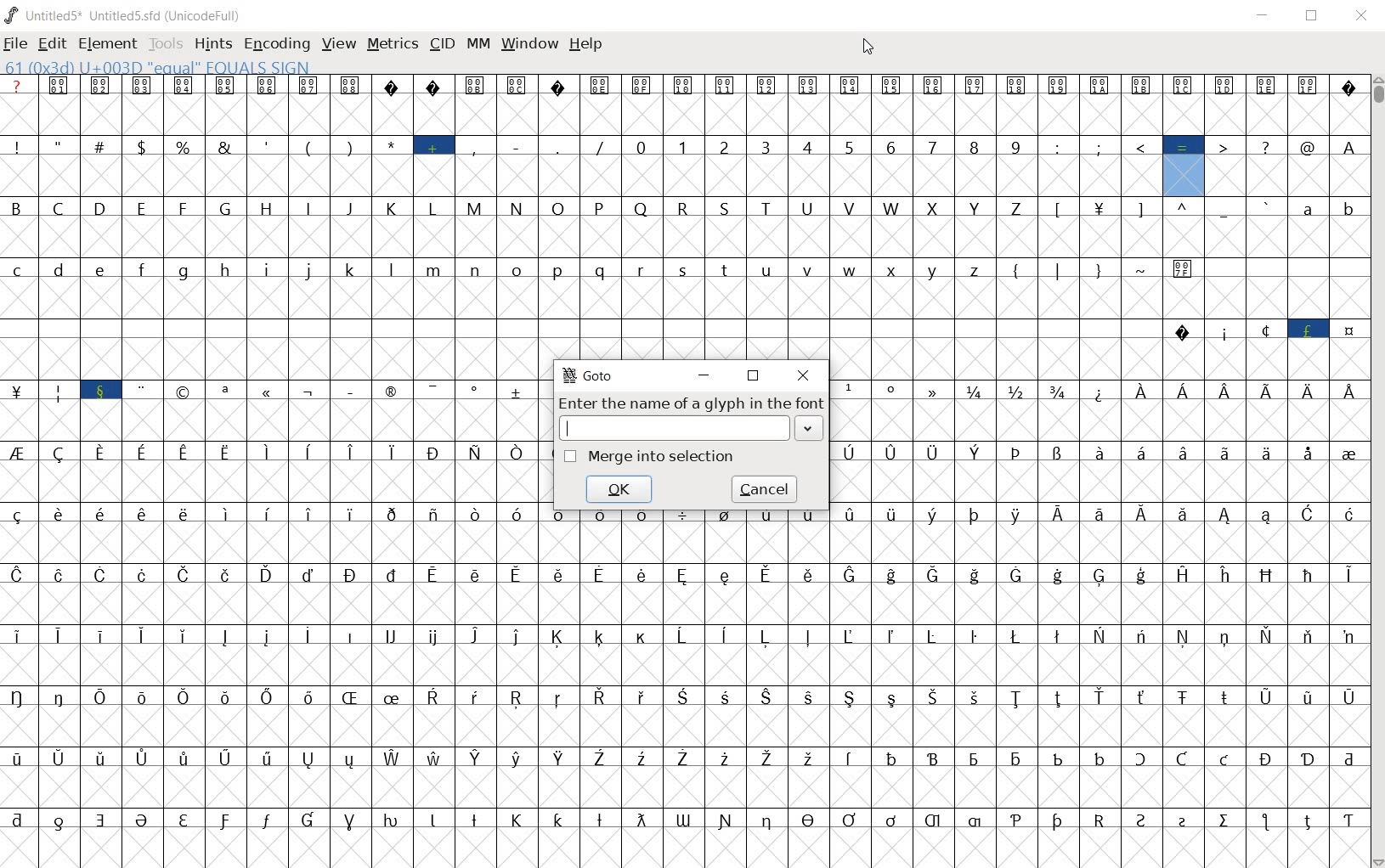  Describe the element at coordinates (269, 460) in the screenshot. I see `glyphs` at that location.